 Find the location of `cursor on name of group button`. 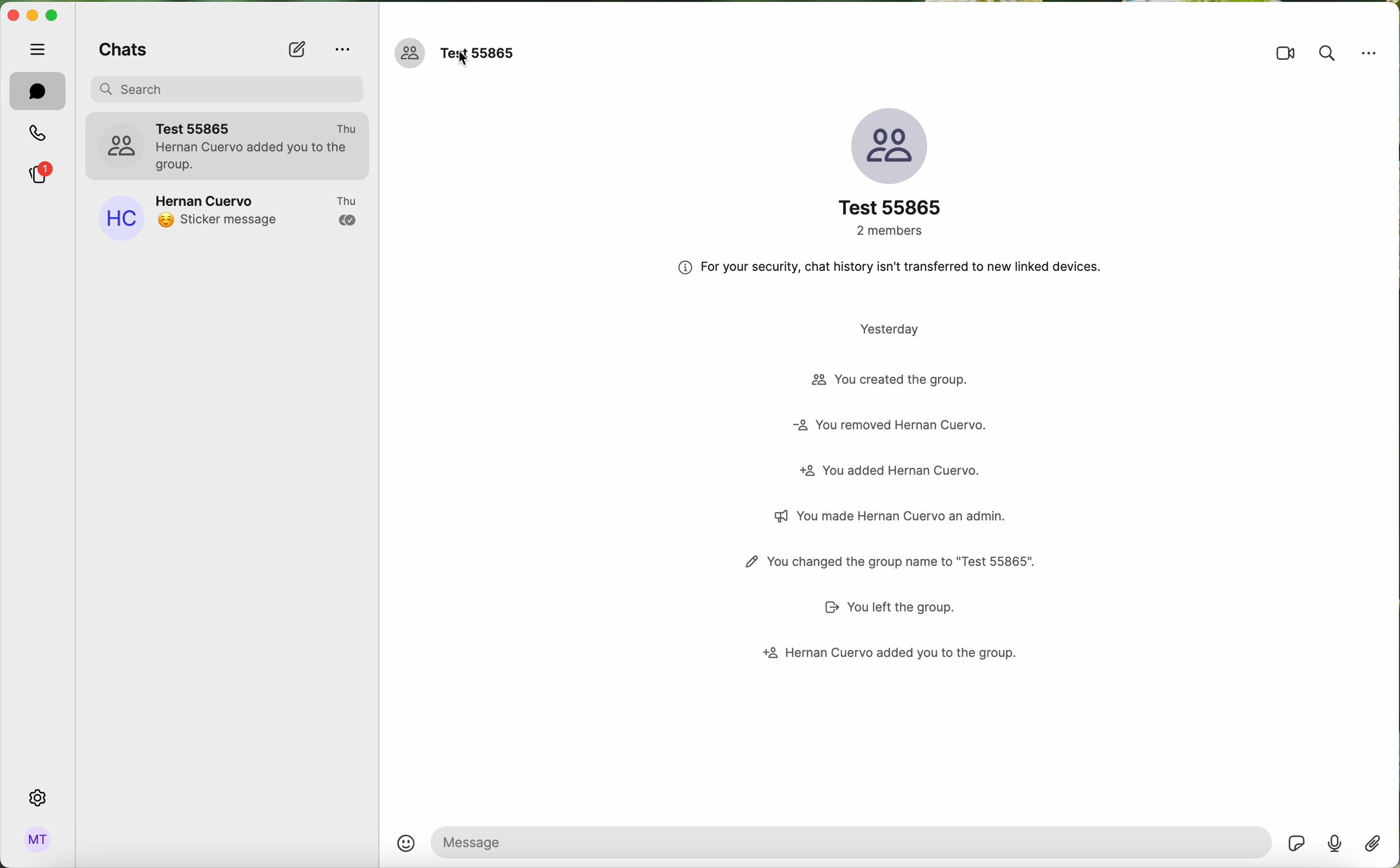

cursor on name of group button is located at coordinates (457, 55).